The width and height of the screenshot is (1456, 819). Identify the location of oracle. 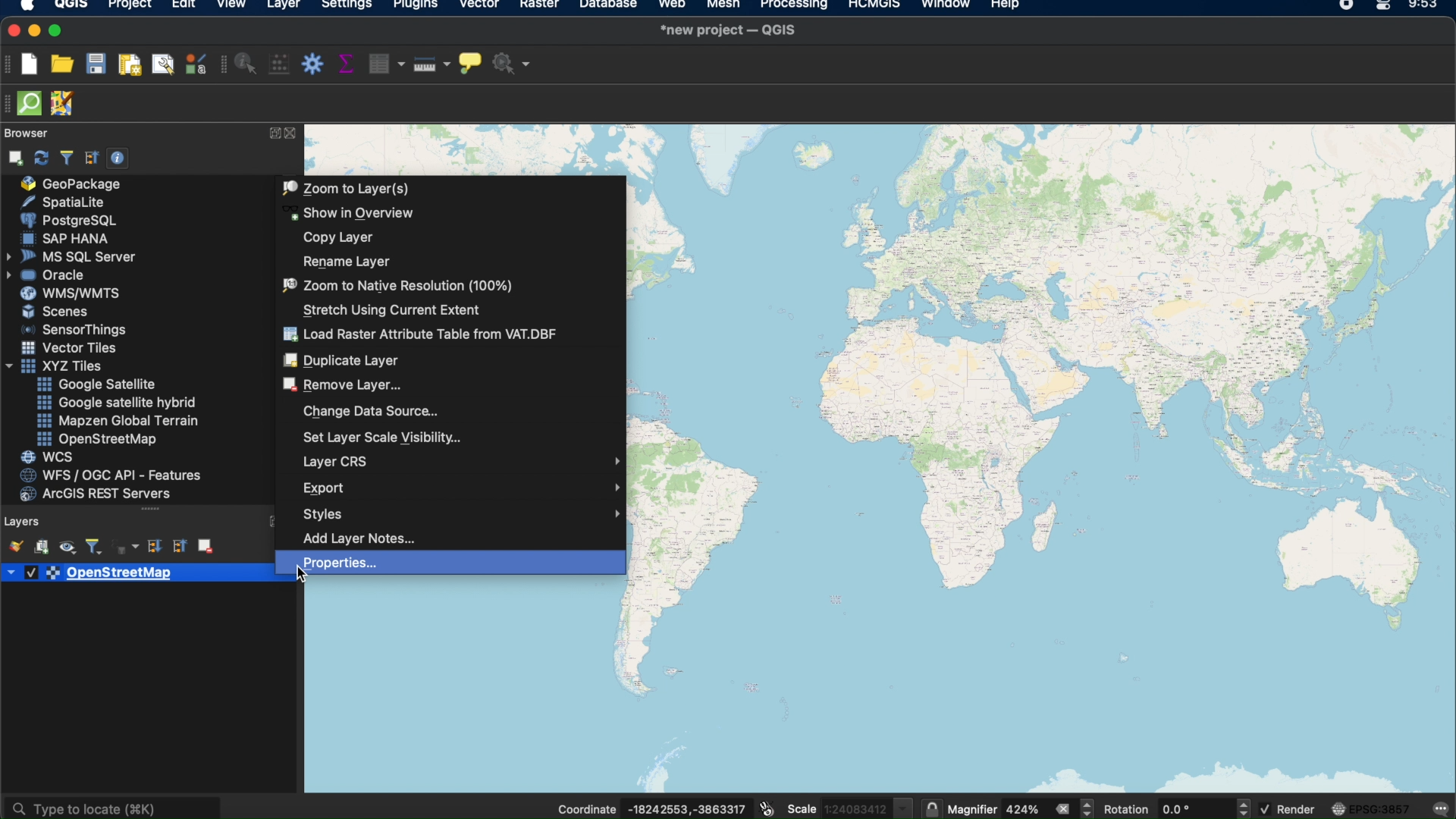
(52, 276).